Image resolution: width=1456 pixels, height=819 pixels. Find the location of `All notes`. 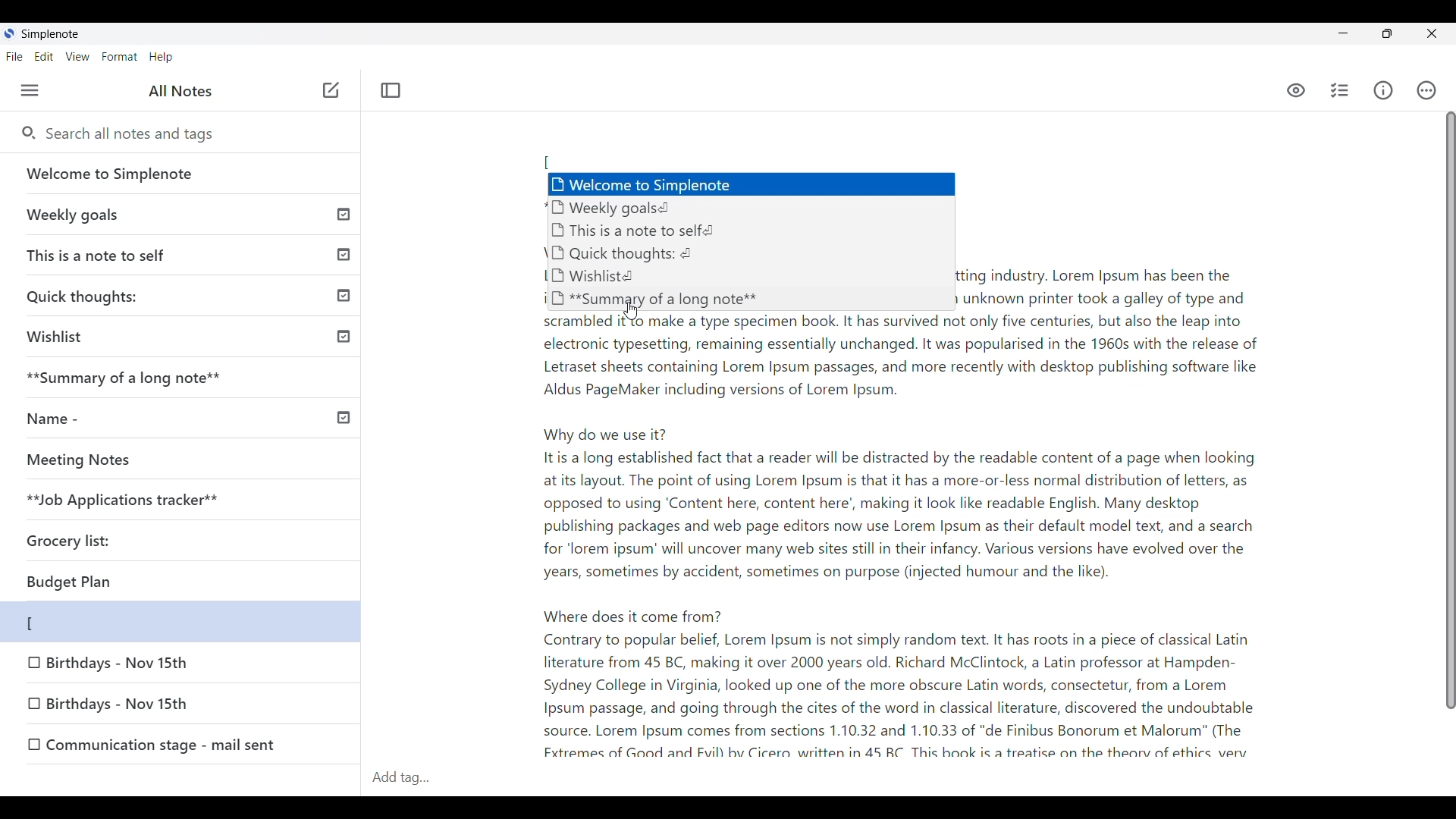

All notes is located at coordinates (180, 90).